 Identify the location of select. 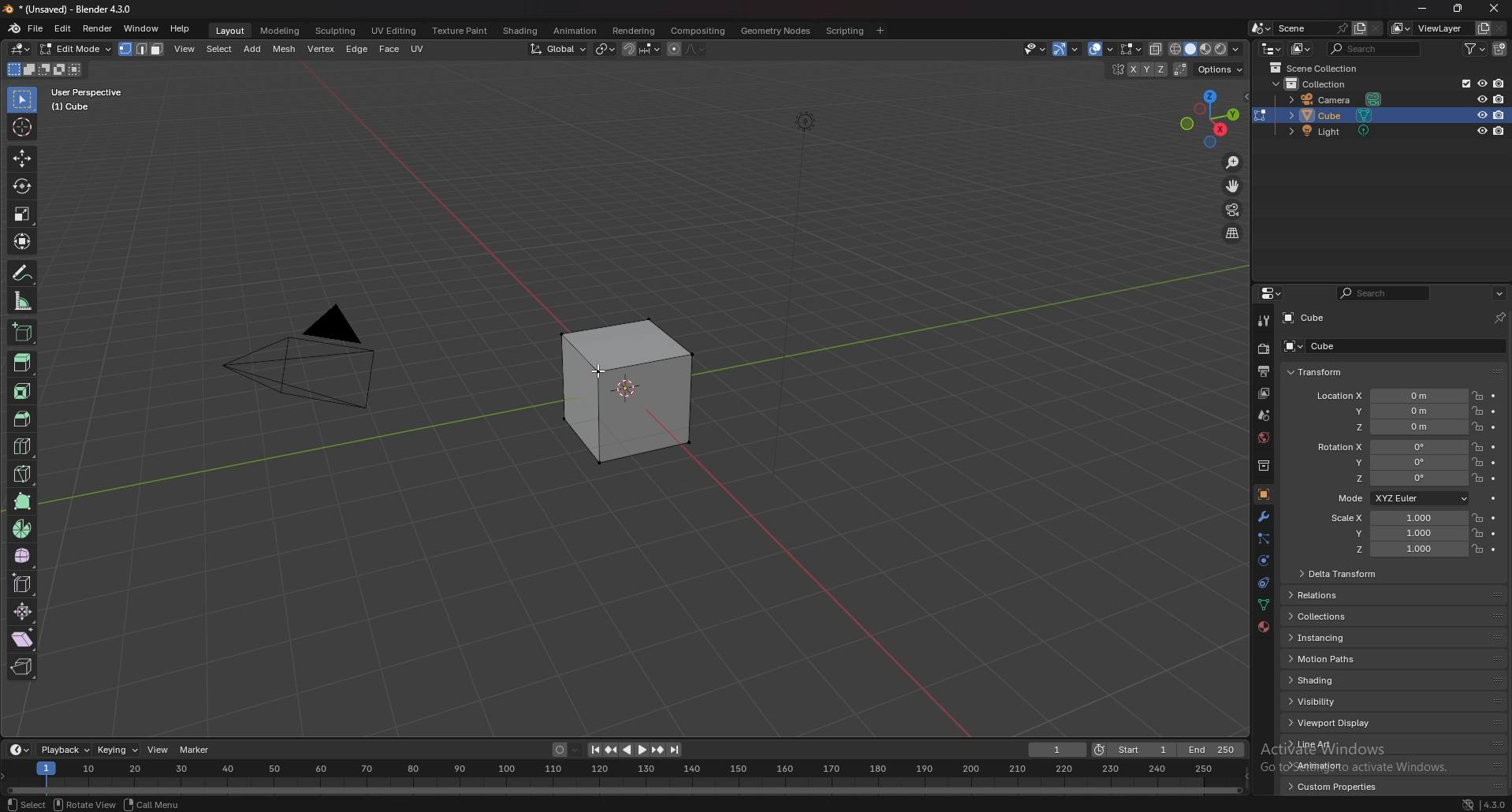
(26, 805).